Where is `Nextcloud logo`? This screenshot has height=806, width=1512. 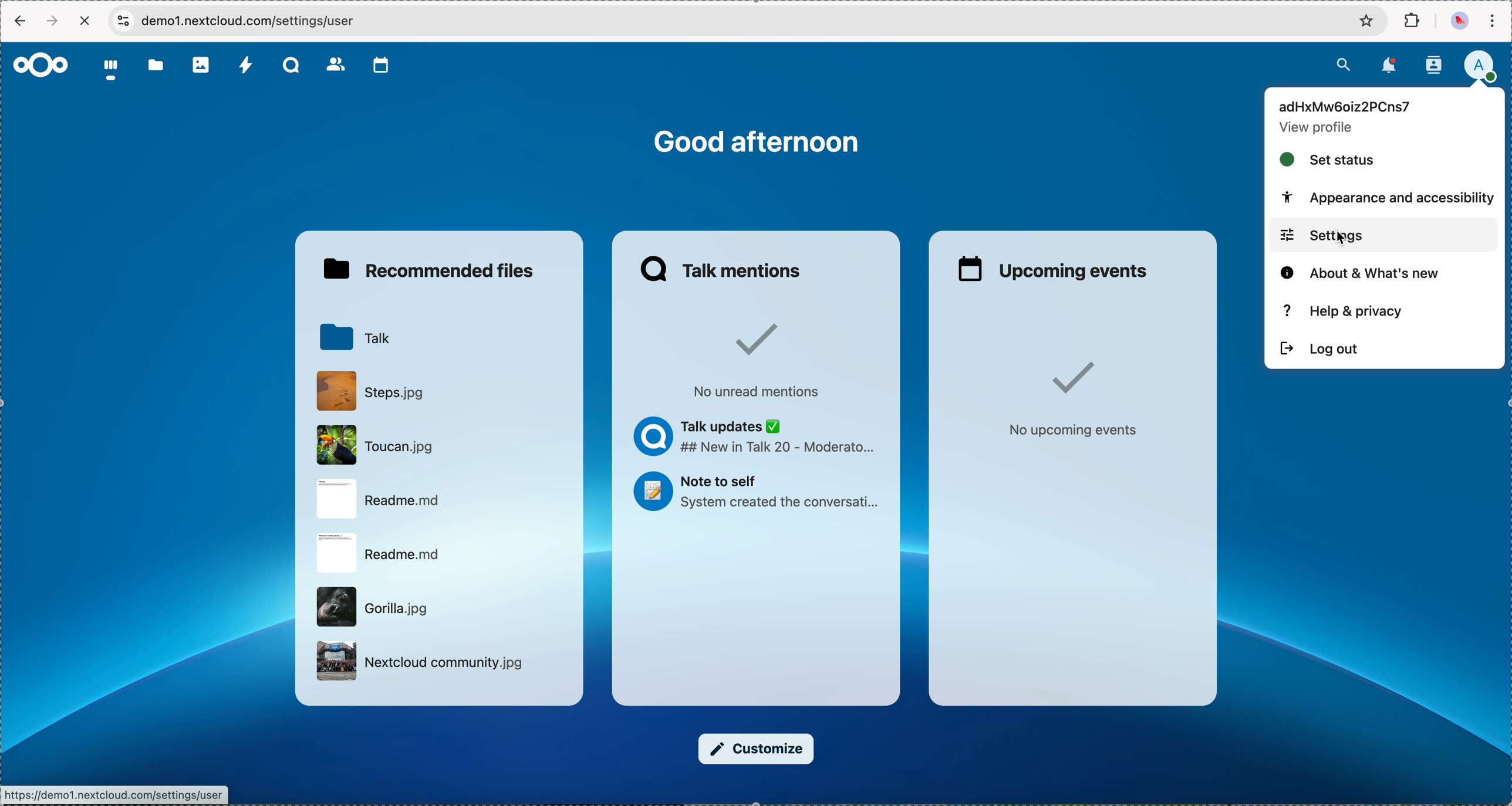
Nextcloud logo is located at coordinates (39, 65).